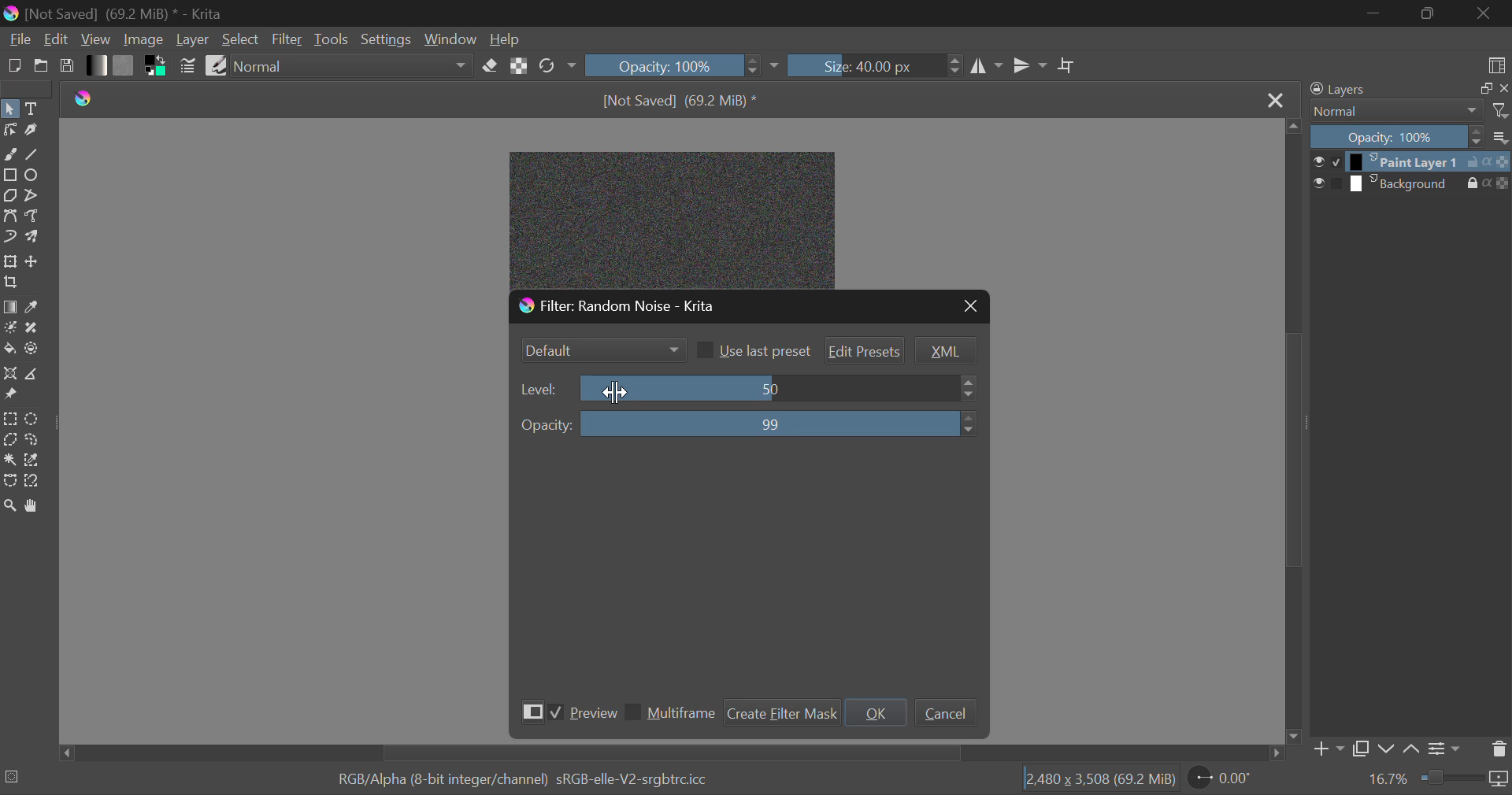  Describe the element at coordinates (9, 307) in the screenshot. I see `Gradient Fill` at that location.